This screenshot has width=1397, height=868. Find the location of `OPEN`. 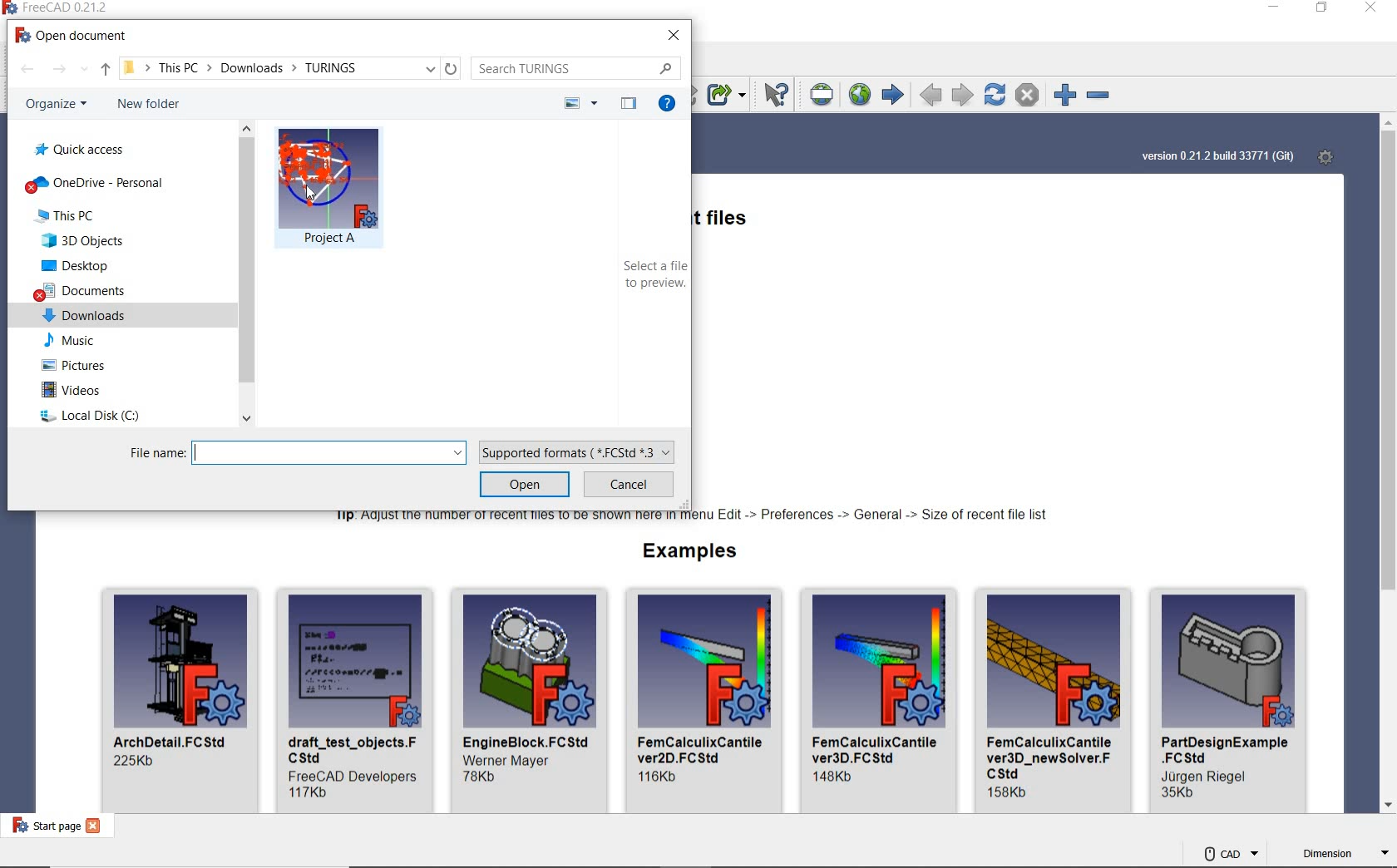

OPEN is located at coordinates (526, 484).